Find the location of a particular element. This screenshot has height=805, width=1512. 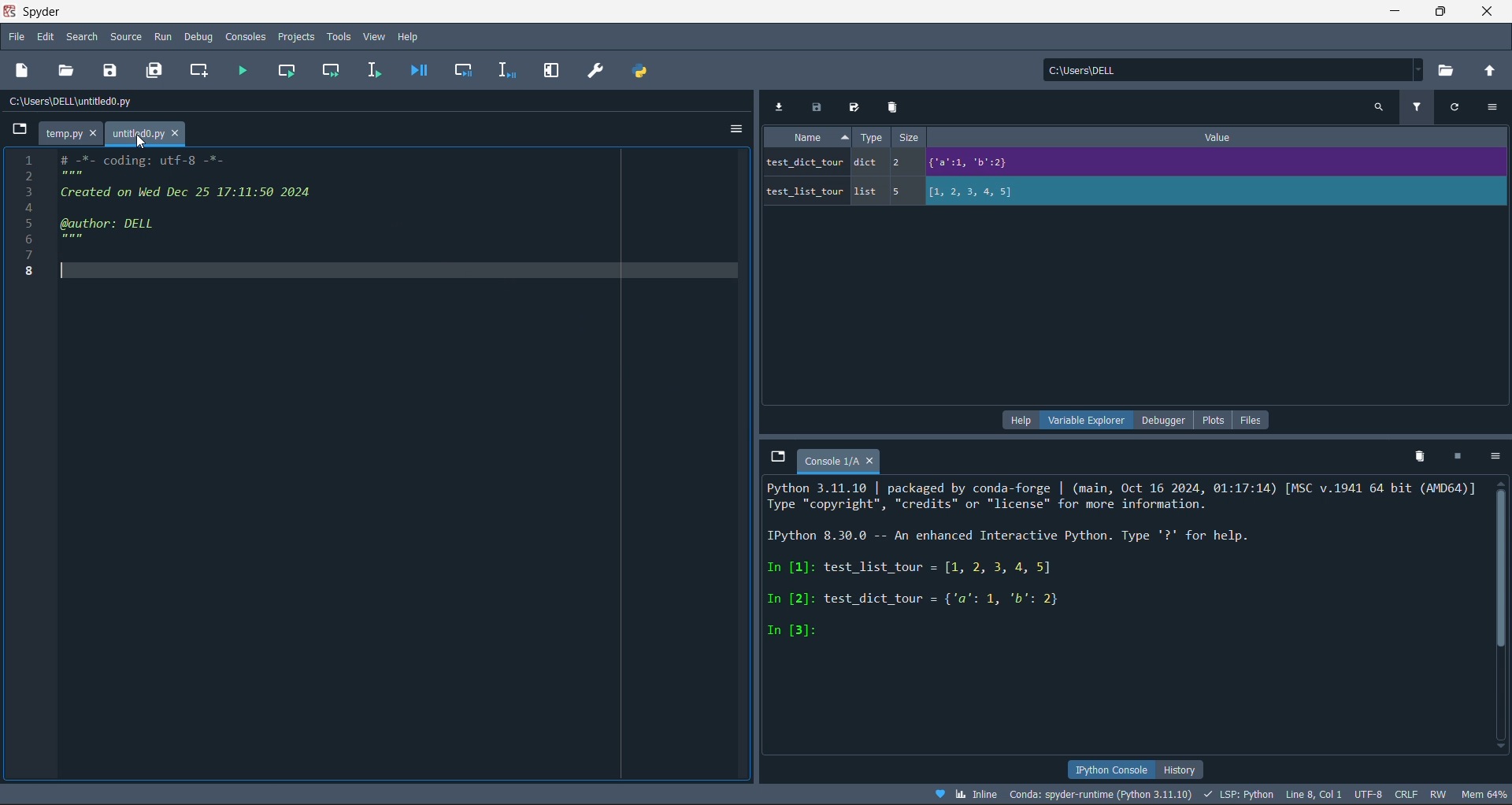

console1/4 is located at coordinates (838, 458).